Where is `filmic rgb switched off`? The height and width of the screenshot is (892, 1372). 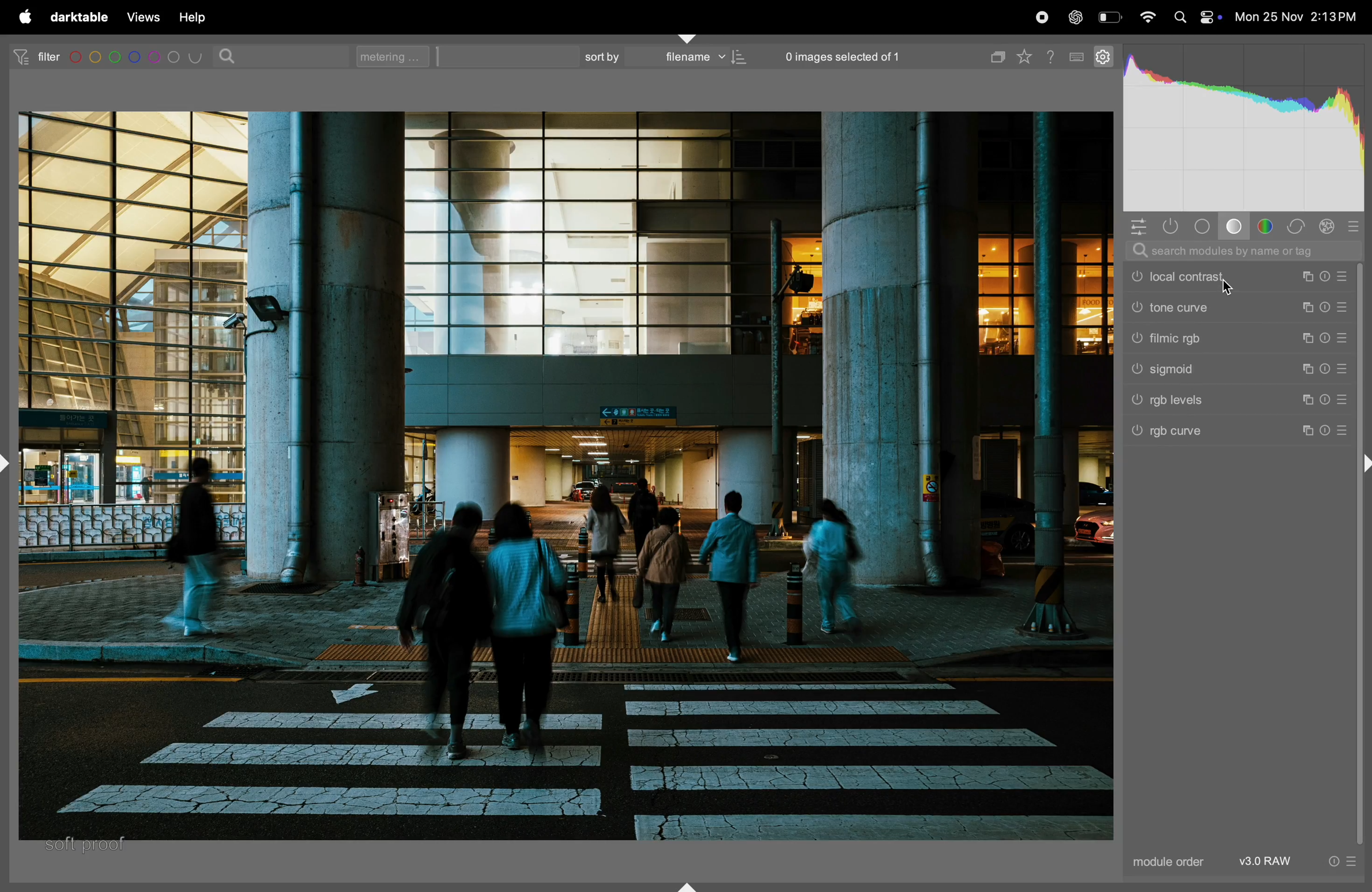 filmic rgb switched off is located at coordinates (1136, 338).